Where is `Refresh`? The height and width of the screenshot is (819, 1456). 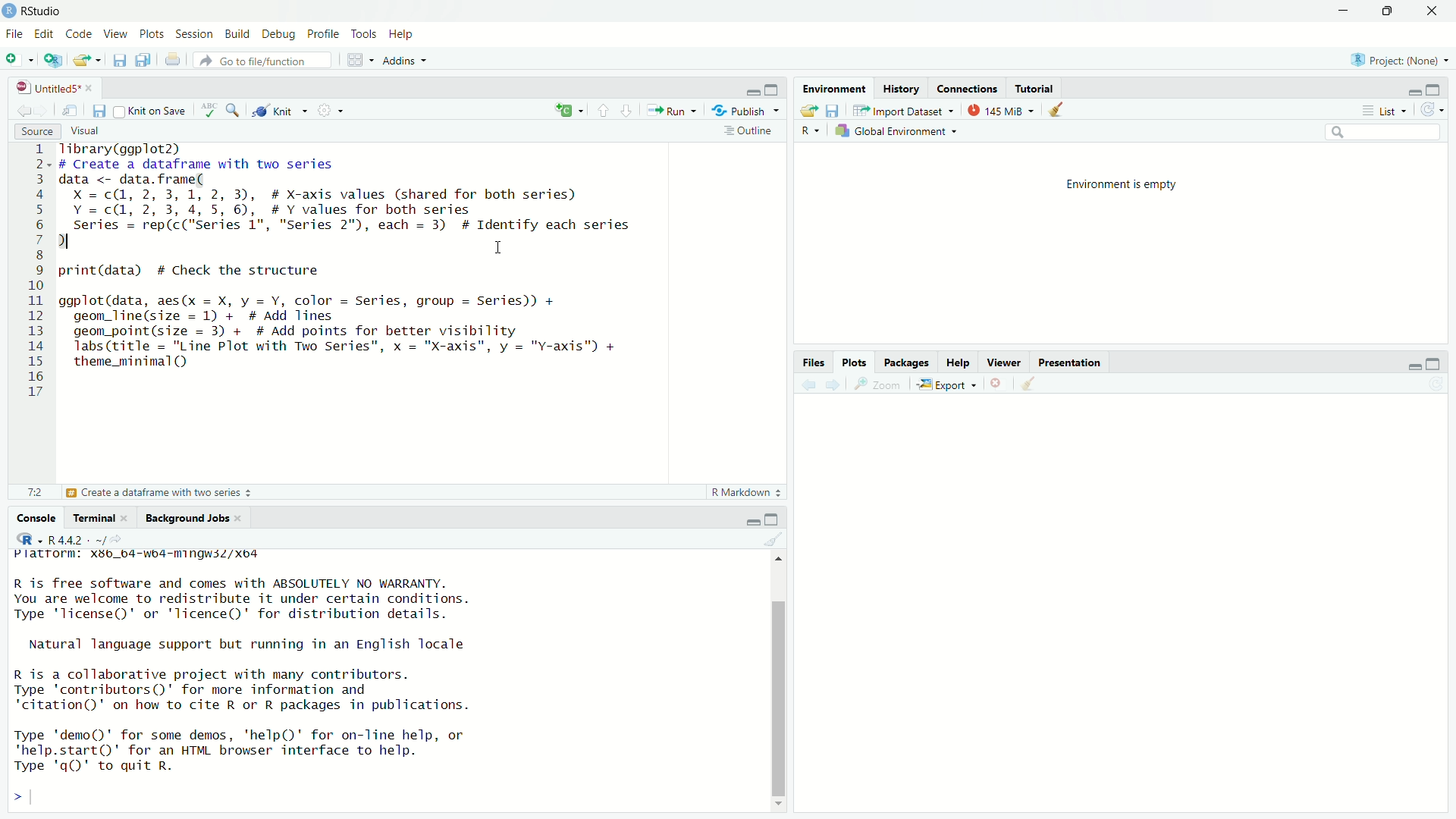 Refresh is located at coordinates (1435, 386).